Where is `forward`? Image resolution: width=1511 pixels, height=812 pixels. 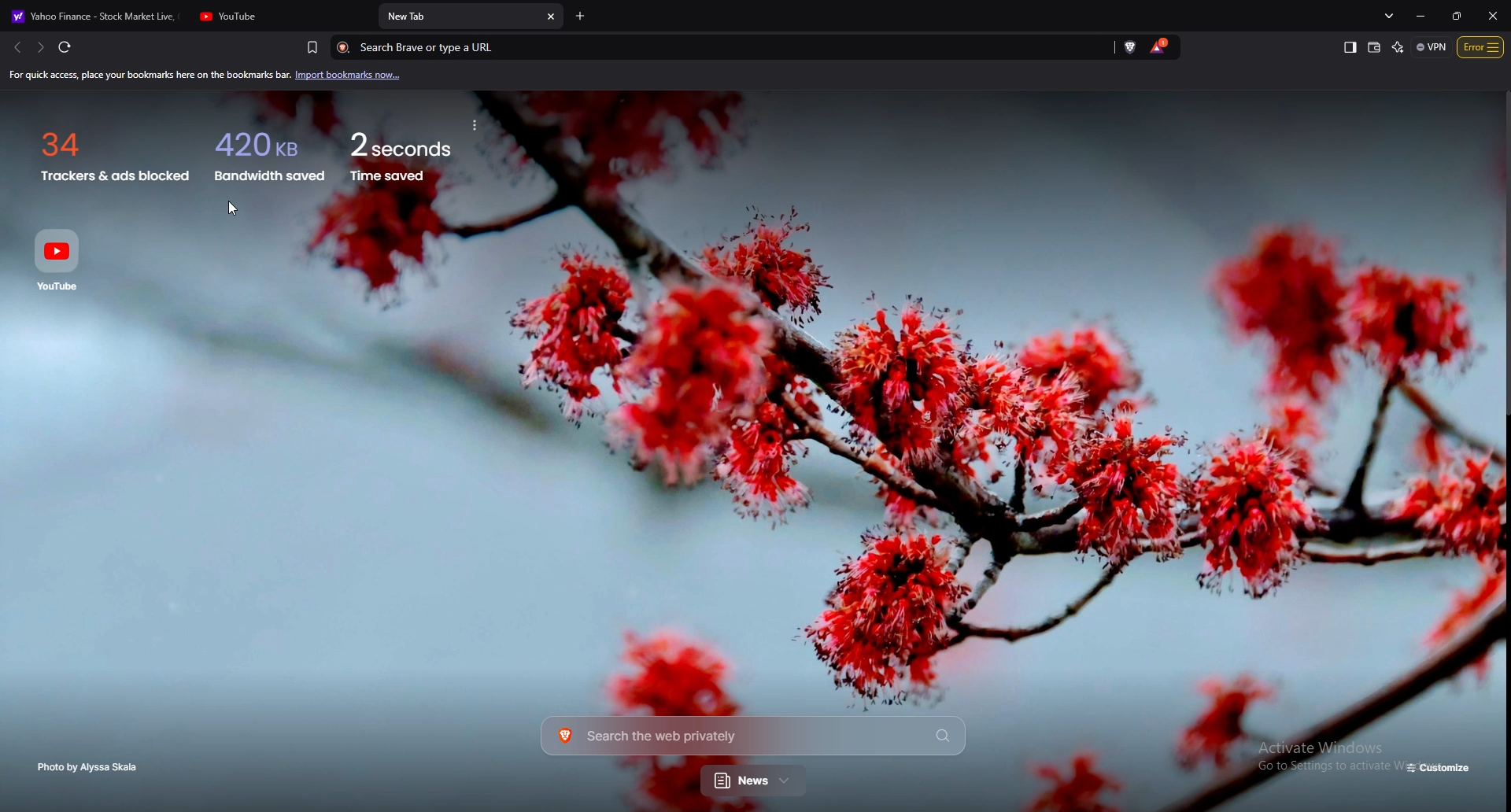 forward is located at coordinates (39, 47).